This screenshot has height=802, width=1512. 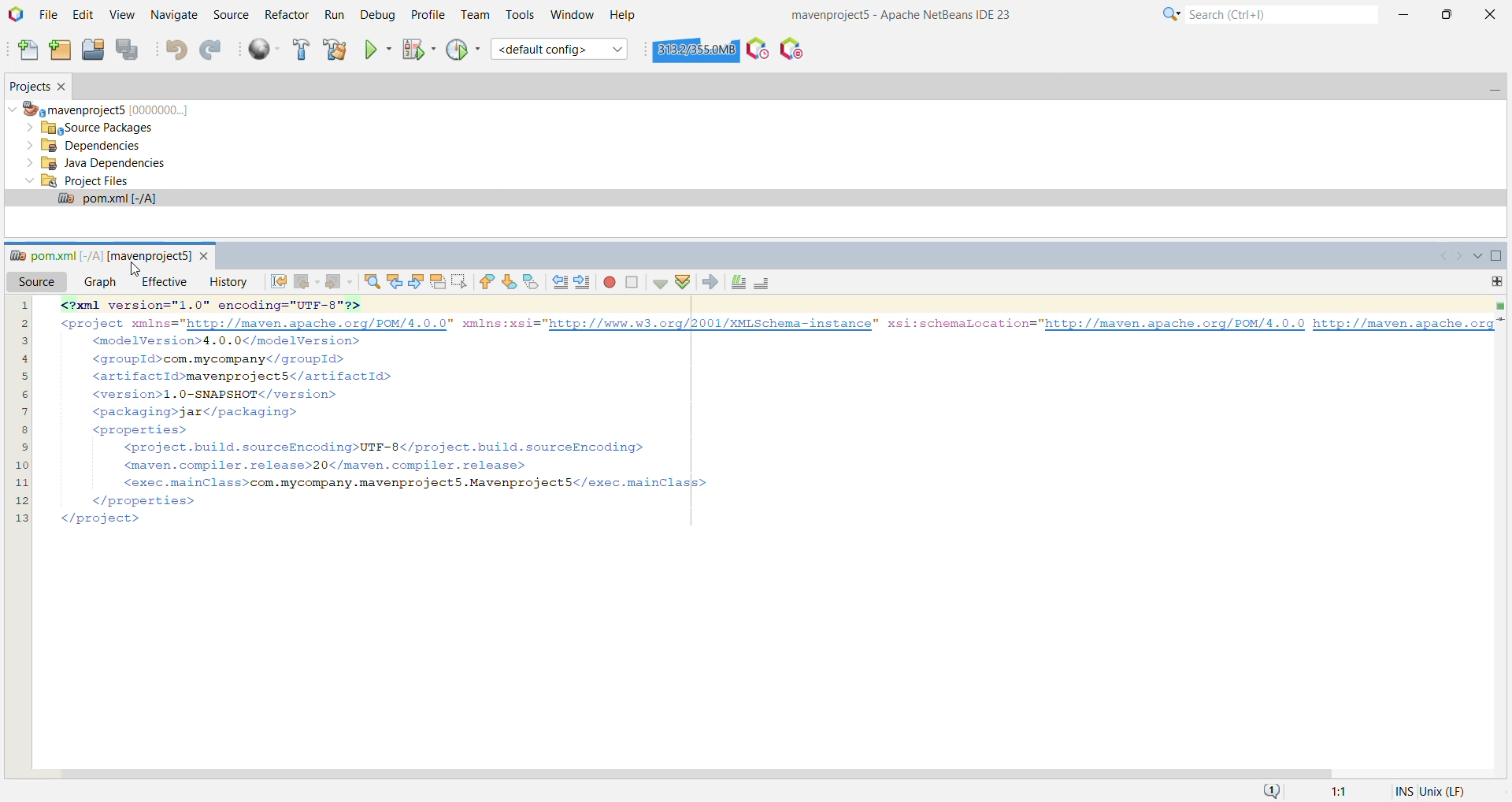 What do you see at coordinates (84, 180) in the screenshot?
I see `Project Files` at bounding box center [84, 180].